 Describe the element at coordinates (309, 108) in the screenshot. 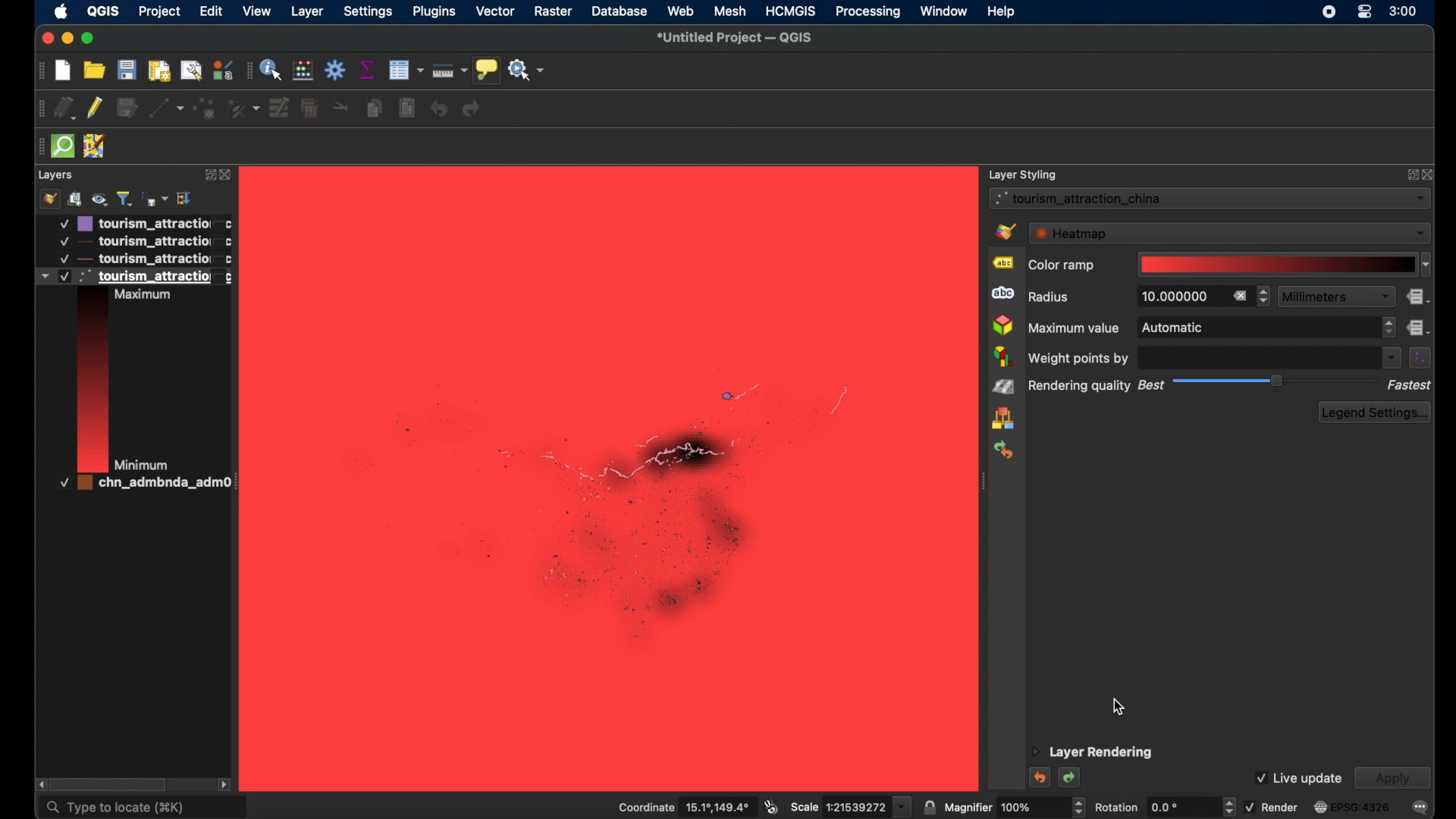

I see `delete selected` at that location.